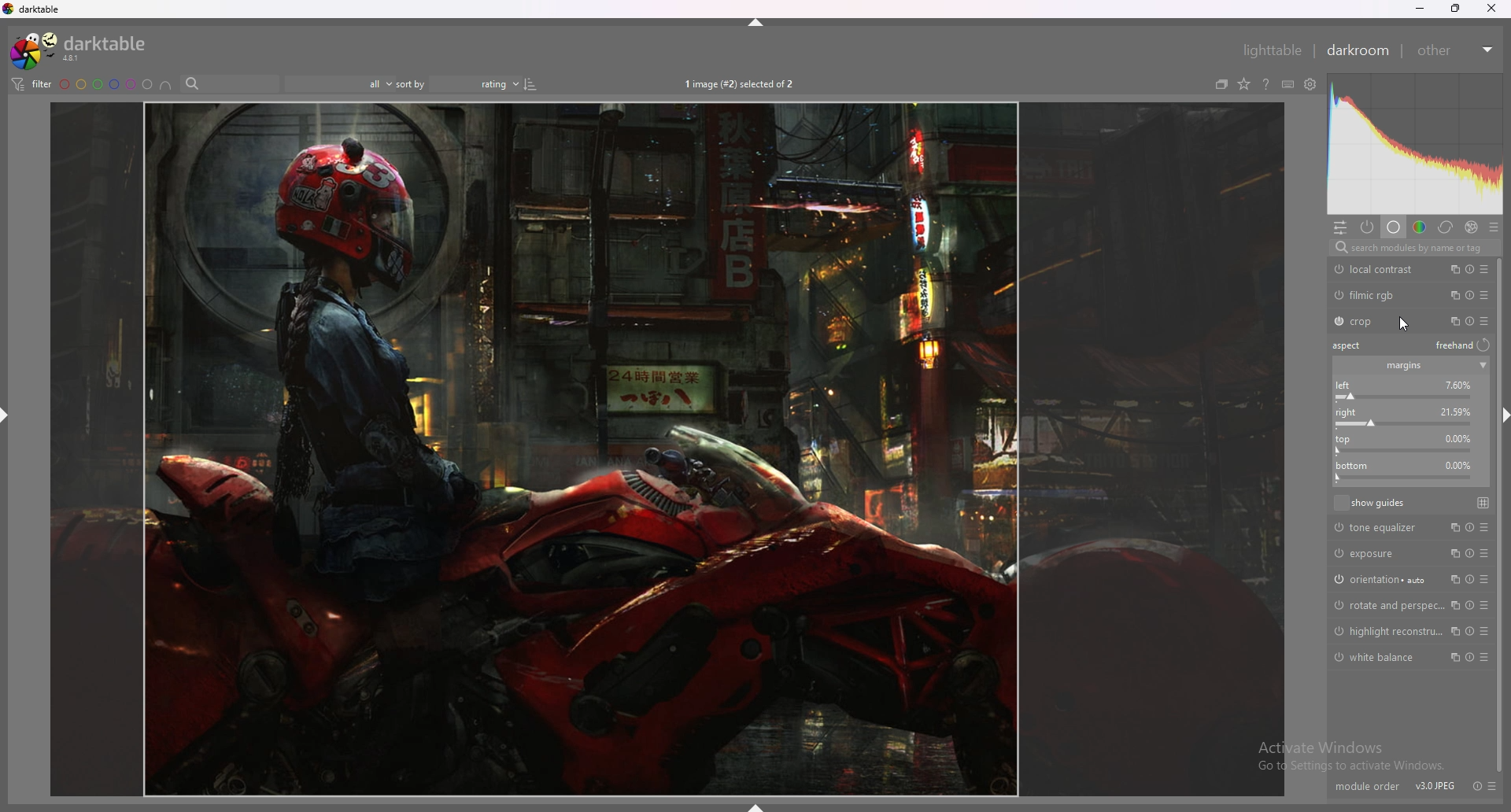 This screenshot has height=812, width=1511. I want to click on hide, so click(6, 416).